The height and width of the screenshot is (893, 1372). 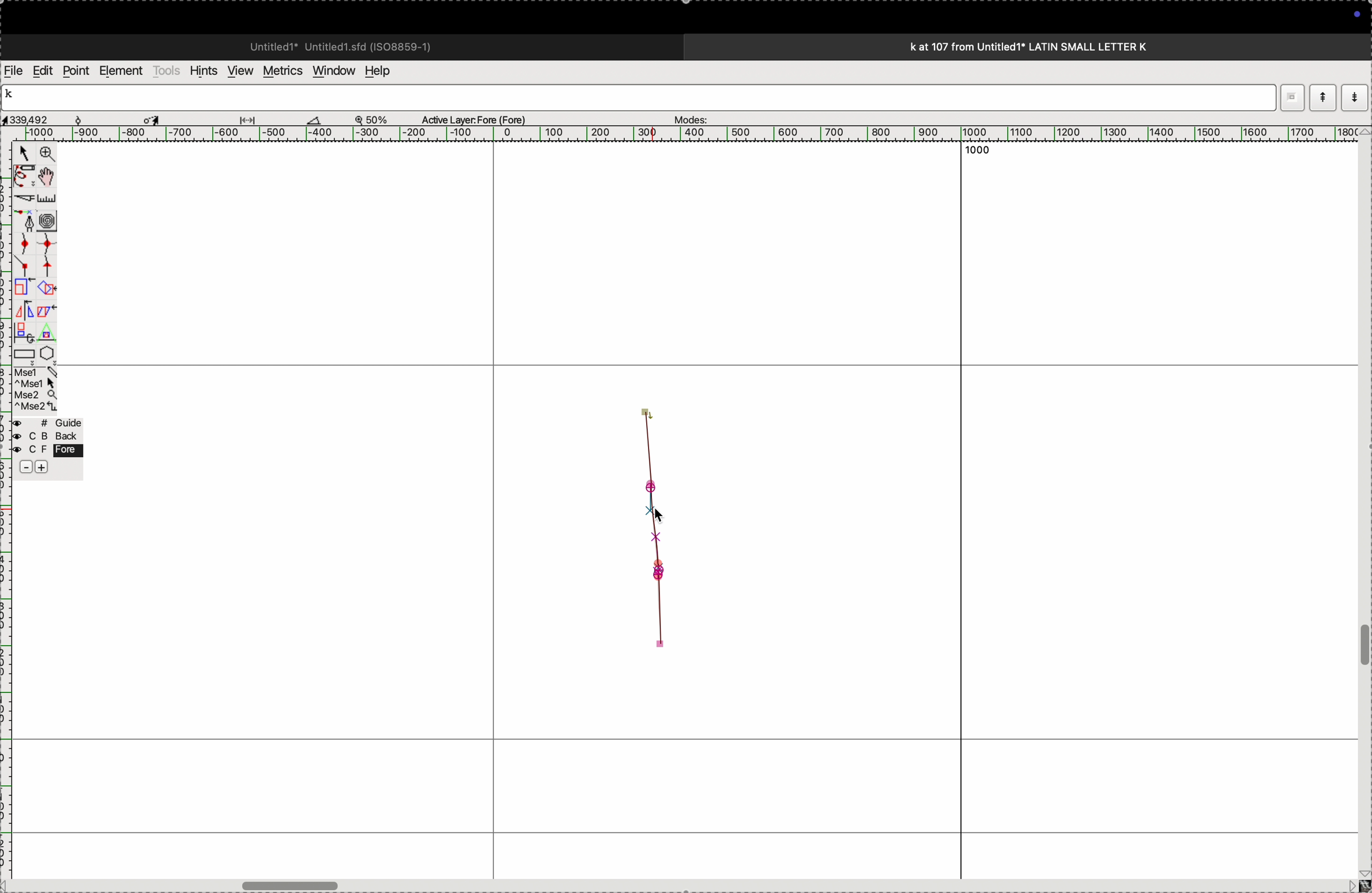 I want to click on window, so click(x=331, y=70).